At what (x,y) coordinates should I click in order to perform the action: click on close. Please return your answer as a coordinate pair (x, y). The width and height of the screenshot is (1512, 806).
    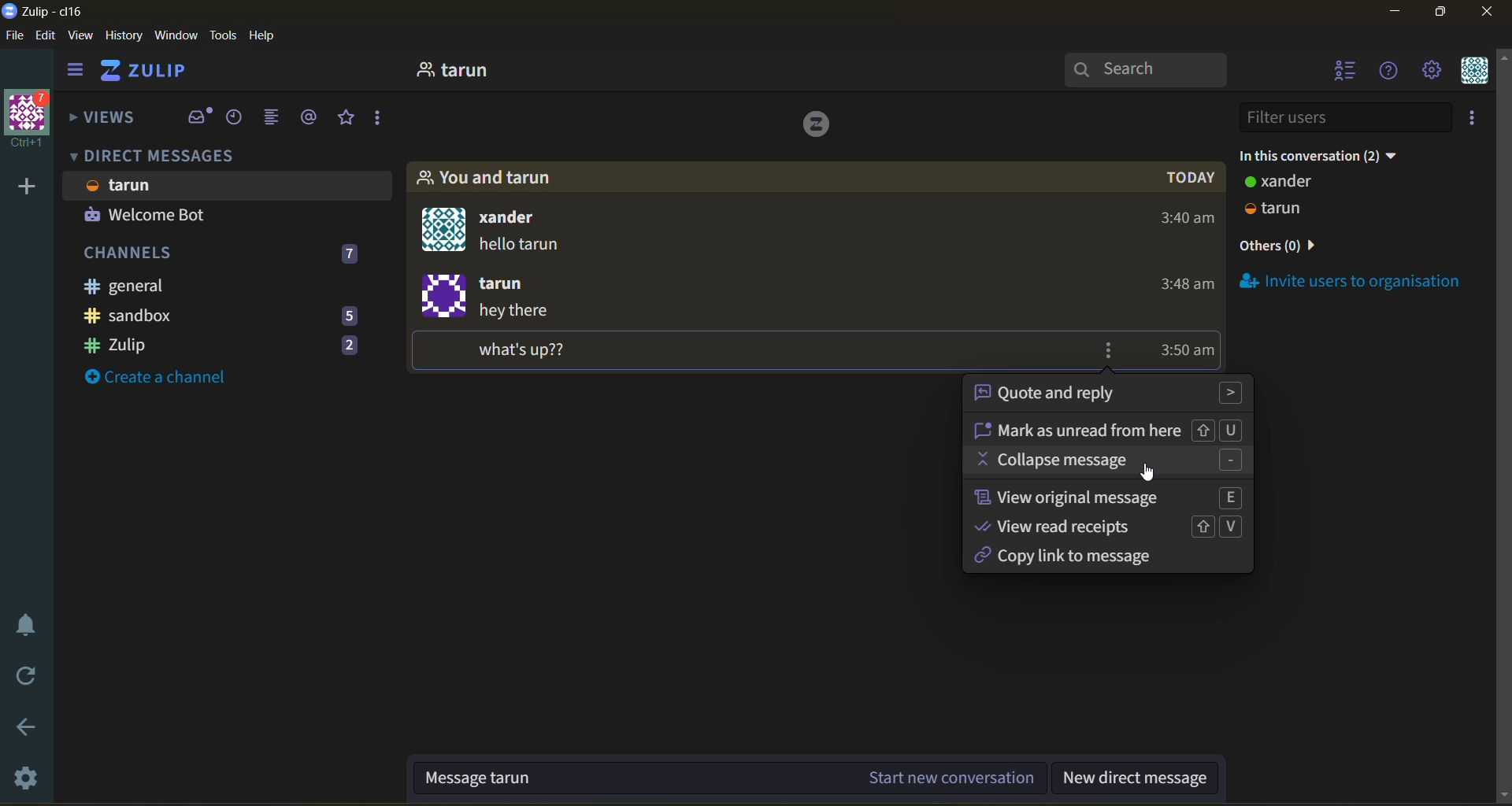
    Looking at the image, I should click on (1488, 13).